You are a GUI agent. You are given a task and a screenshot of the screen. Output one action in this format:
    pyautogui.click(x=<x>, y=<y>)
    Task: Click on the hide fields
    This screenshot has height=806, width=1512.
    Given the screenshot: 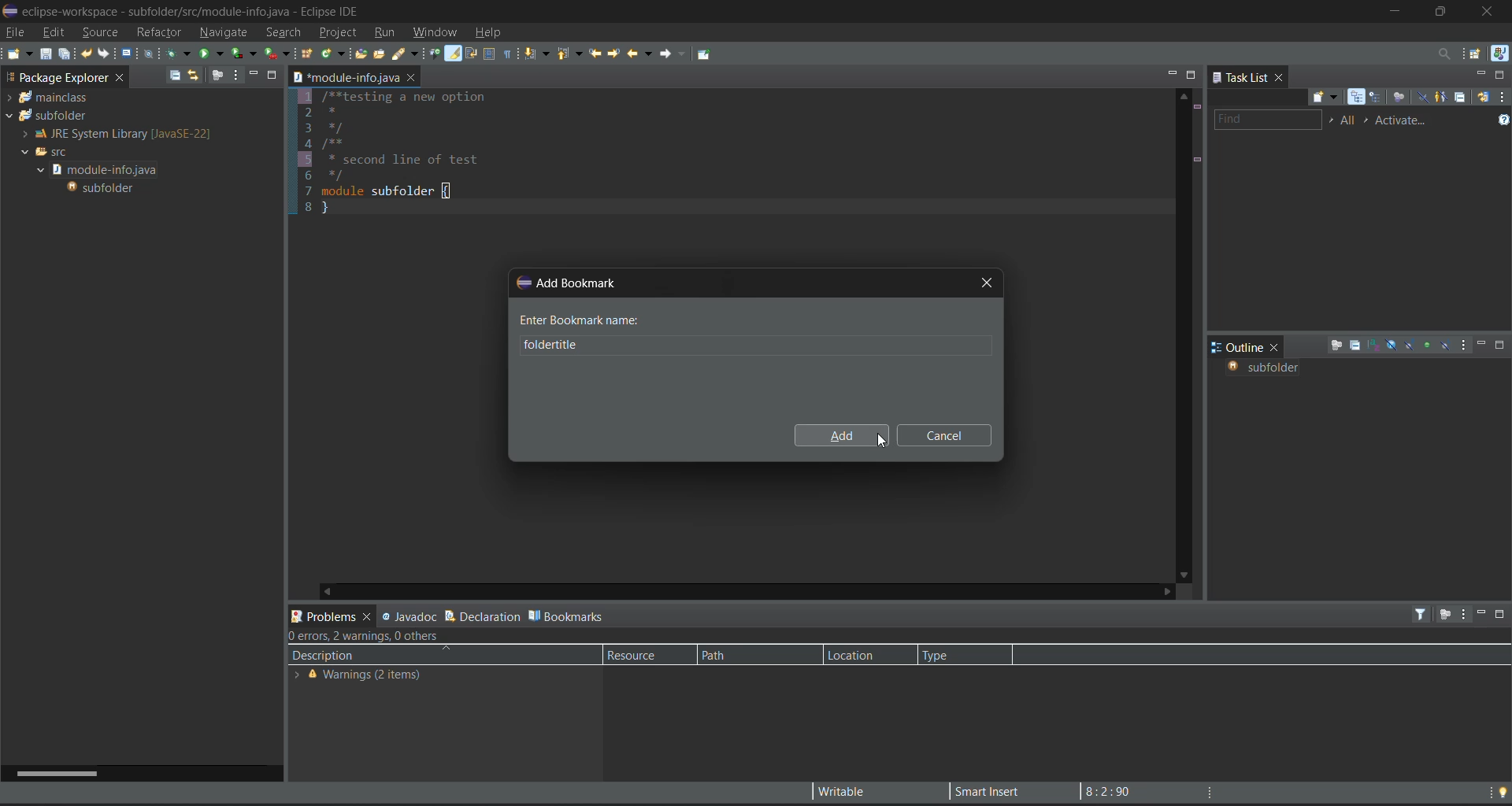 What is the action you would take?
    pyautogui.click(x=1392, y=344)
    